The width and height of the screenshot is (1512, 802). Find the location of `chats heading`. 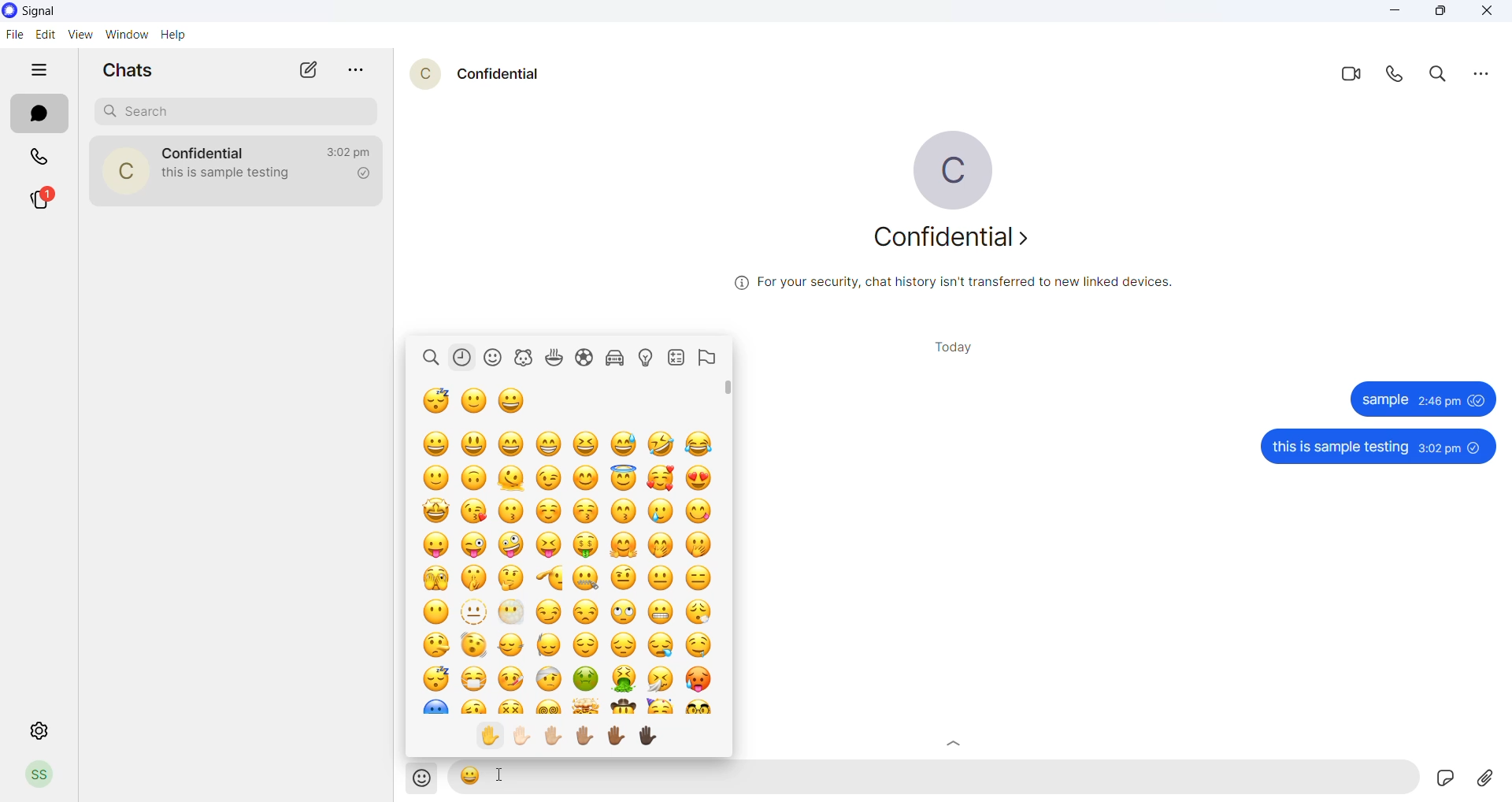

chats heading is located at coordinates (133, 69).